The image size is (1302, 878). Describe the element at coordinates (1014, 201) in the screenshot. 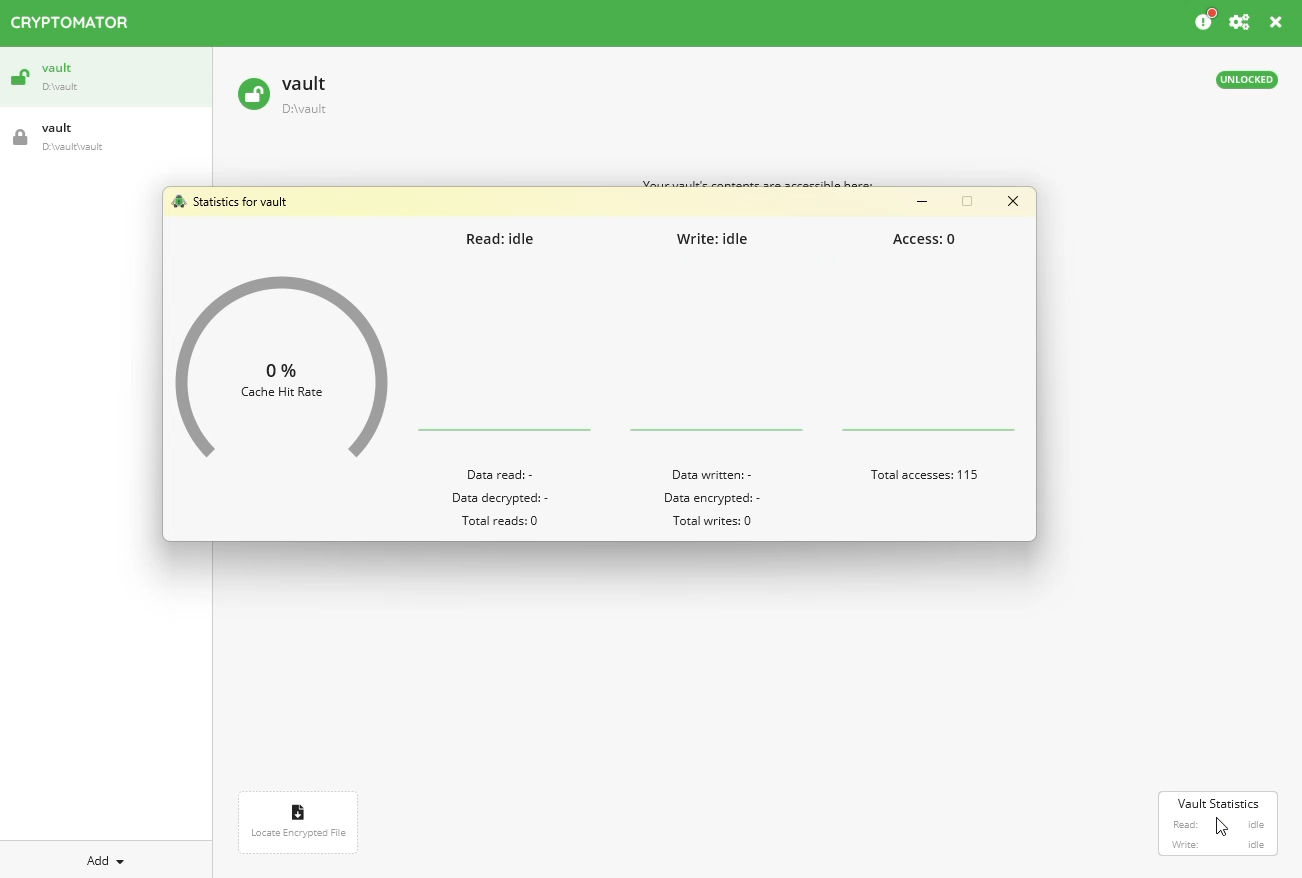

I see `close` at that location.